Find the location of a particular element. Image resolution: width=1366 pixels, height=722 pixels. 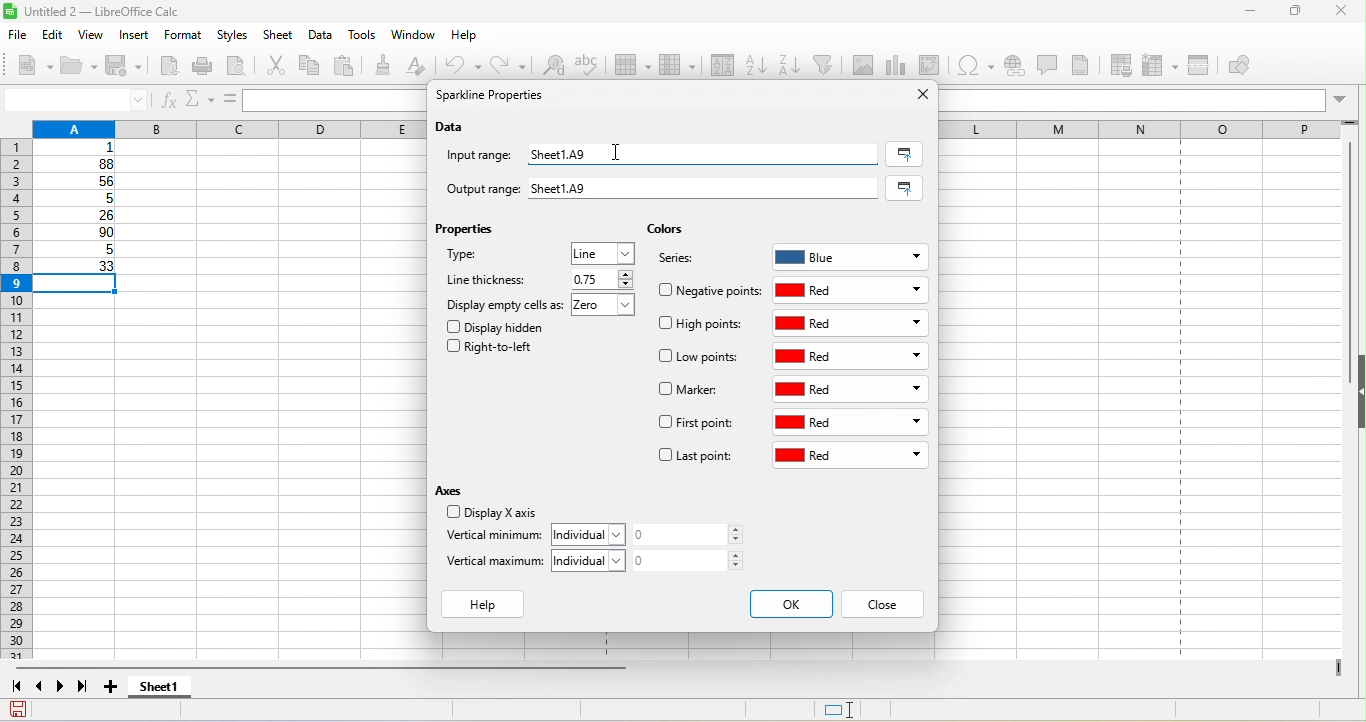

selected cell is located at coordinates (81, 285).